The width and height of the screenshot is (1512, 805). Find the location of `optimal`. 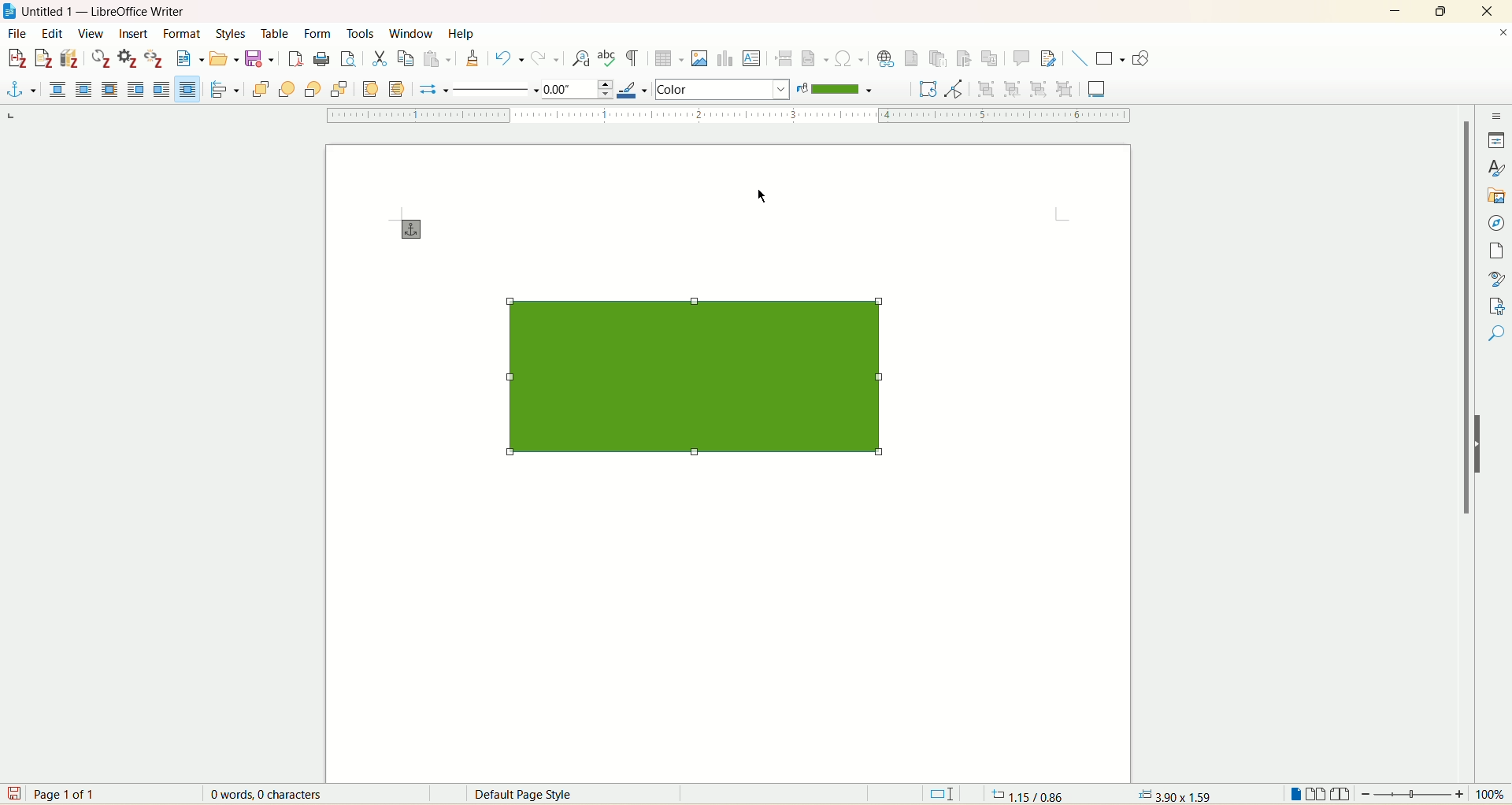

optimal is located at coordinates (108, 88).